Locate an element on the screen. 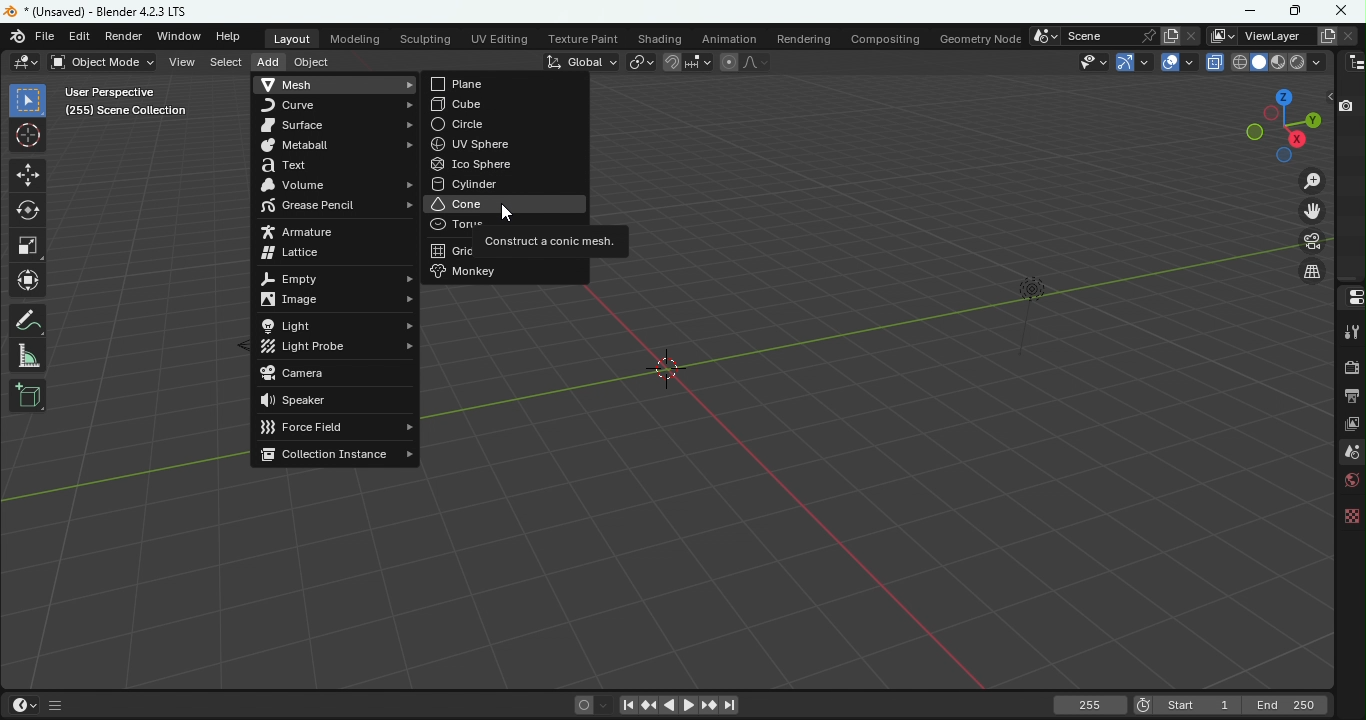 The height and width of the screenshot is (720, 1366). Speaker is located at coordinates (334, 401).